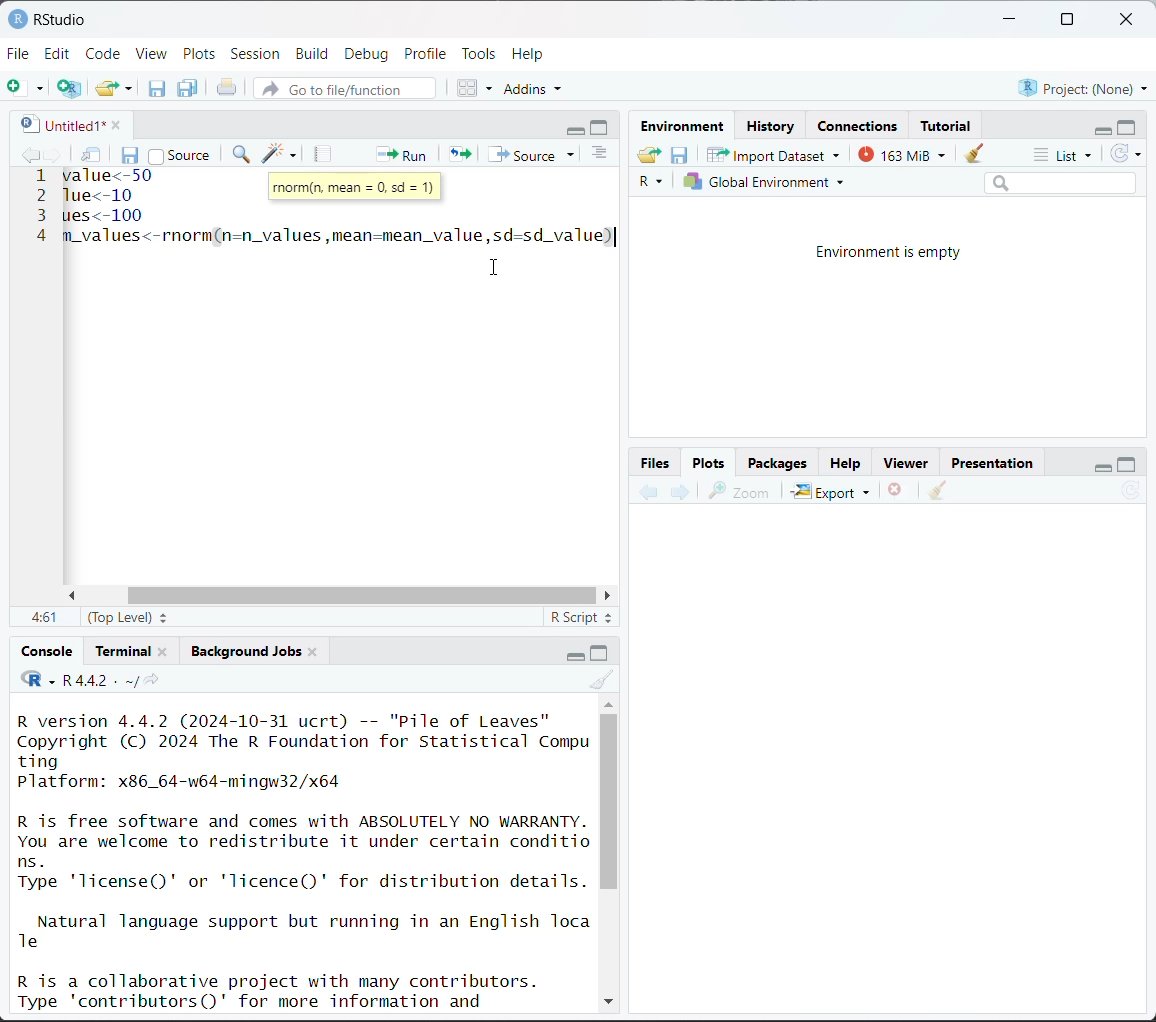 This screenshot has width=1156, height=1022. Describe the element at coordinates (343, 90) in the screenshot. I see `go to file/function` at that location.